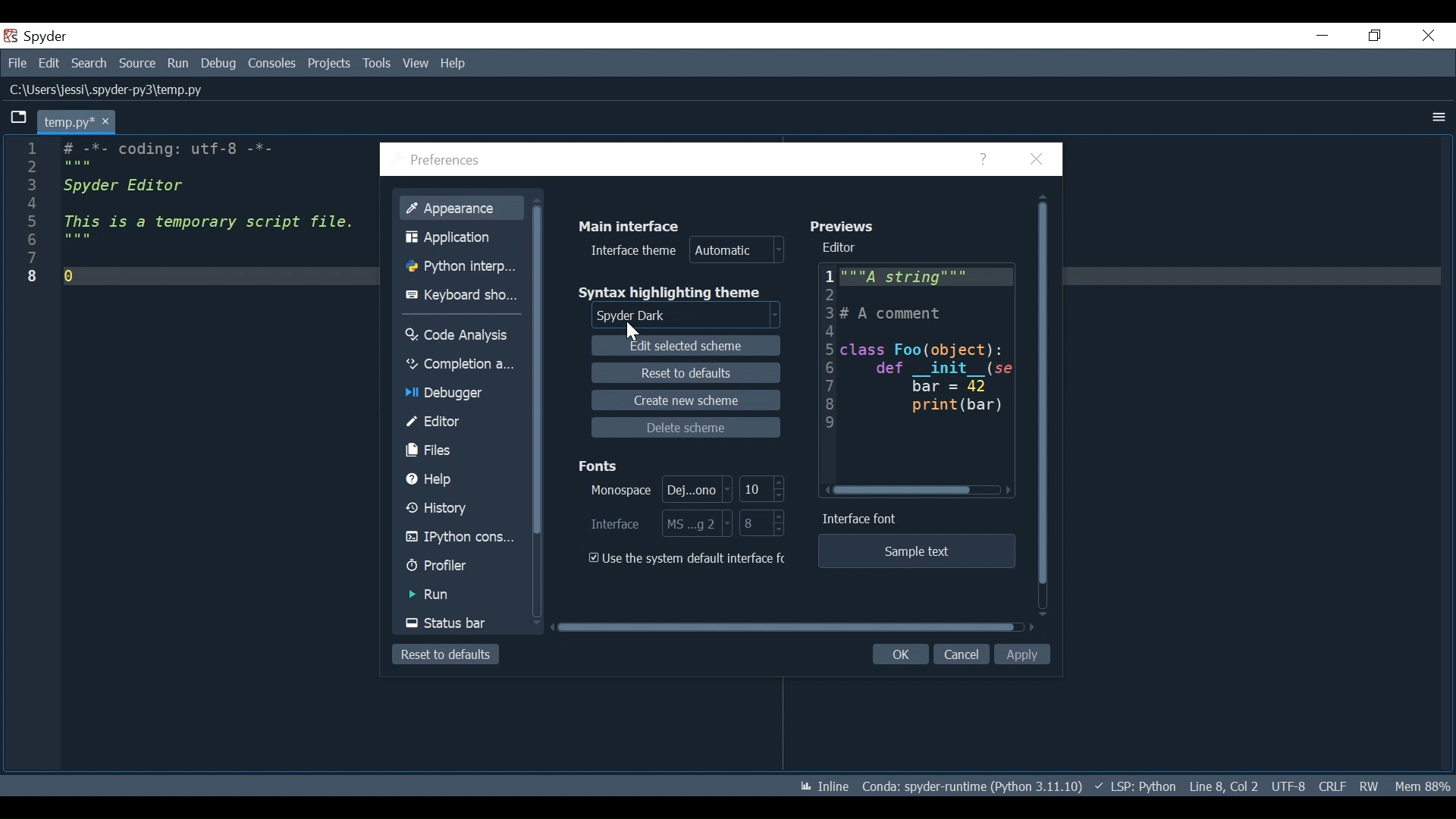 The width and height of the screenshot is (1456, 819). What do you see at coordinates (657, 523) in the screenshot?
I see `Select Interface Font` at bounding box center [657, 523].